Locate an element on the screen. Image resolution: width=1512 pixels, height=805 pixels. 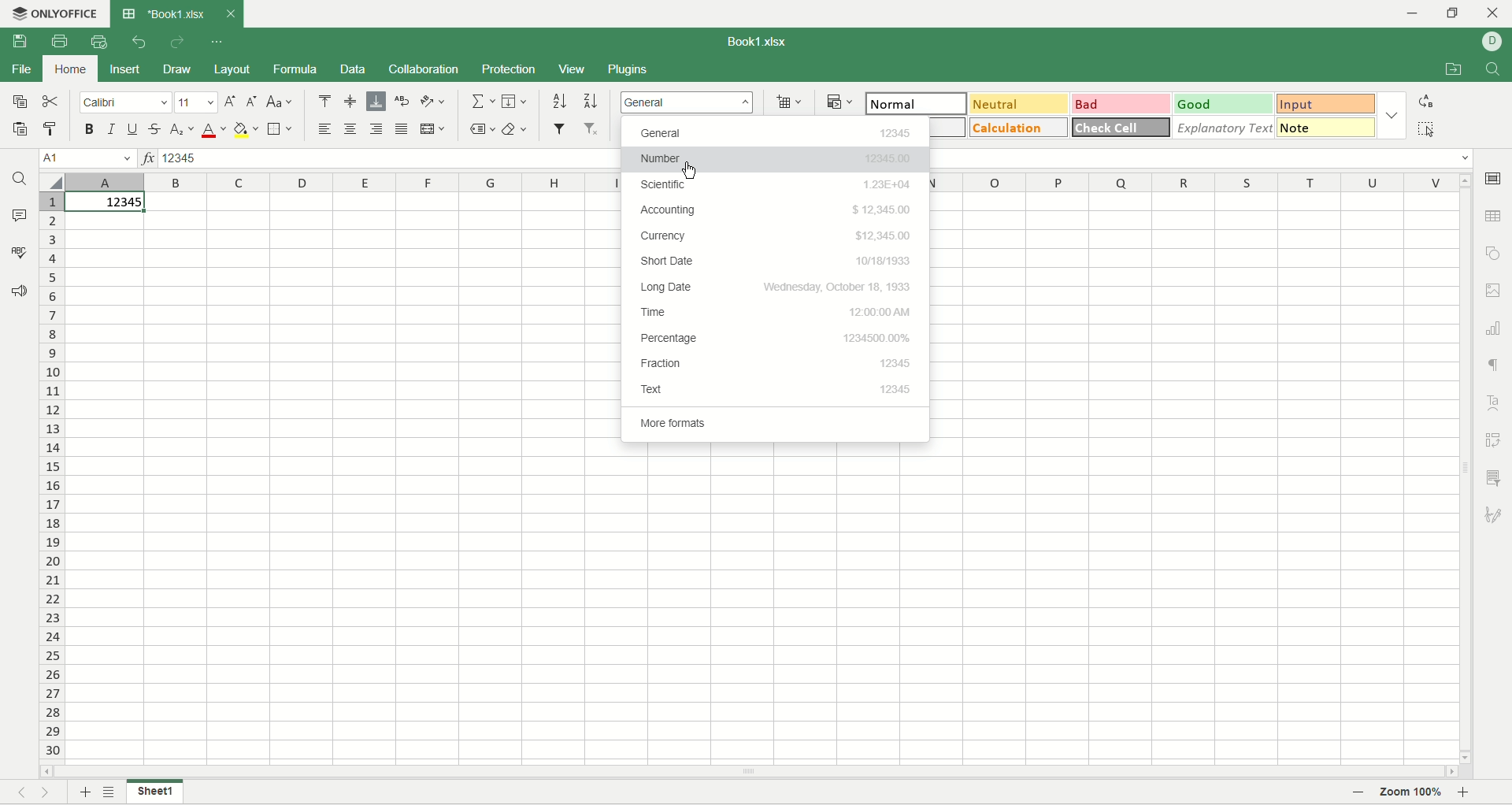
text is located at coordinates (776, 388).